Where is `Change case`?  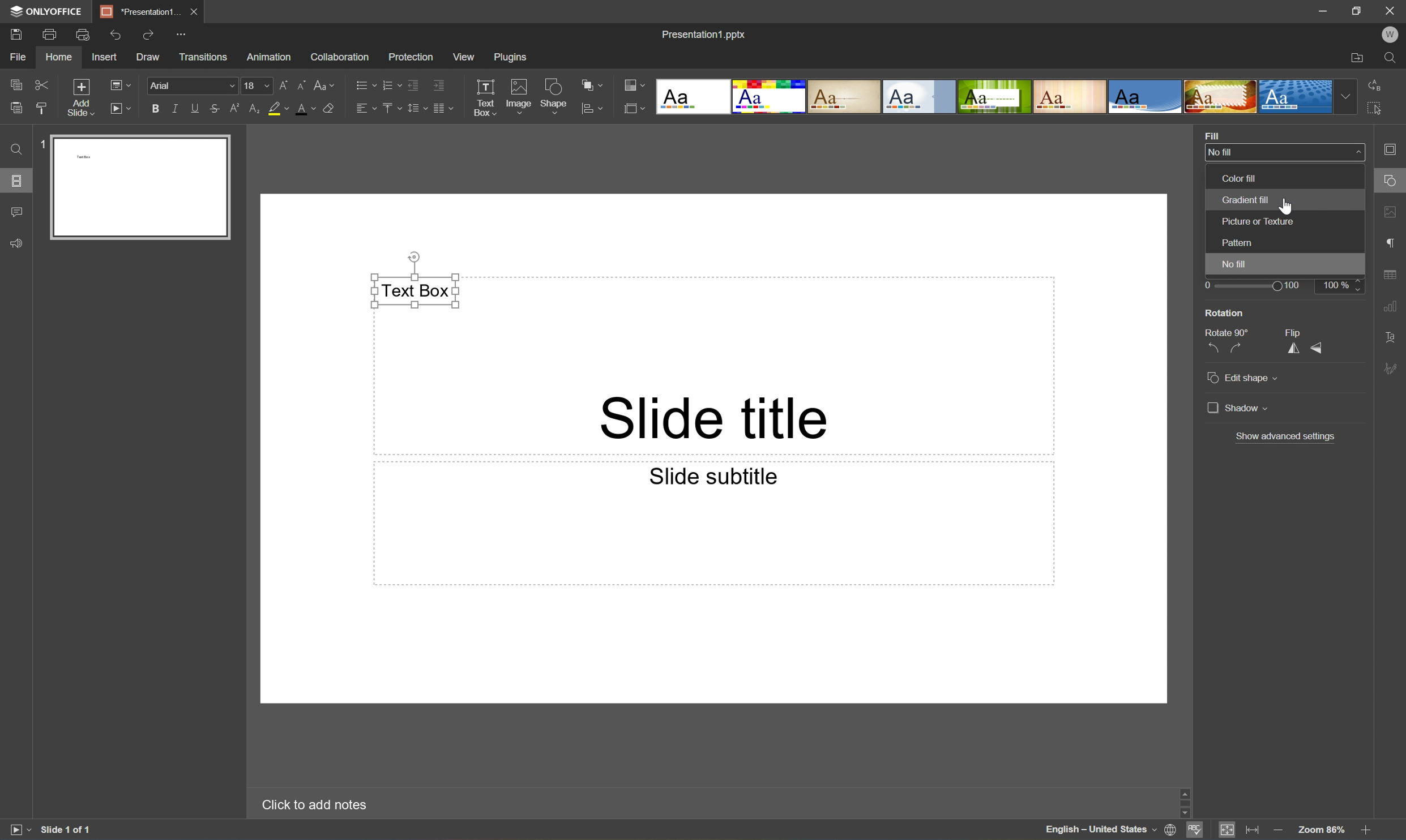
Change case is located at coordinates (324, 84).